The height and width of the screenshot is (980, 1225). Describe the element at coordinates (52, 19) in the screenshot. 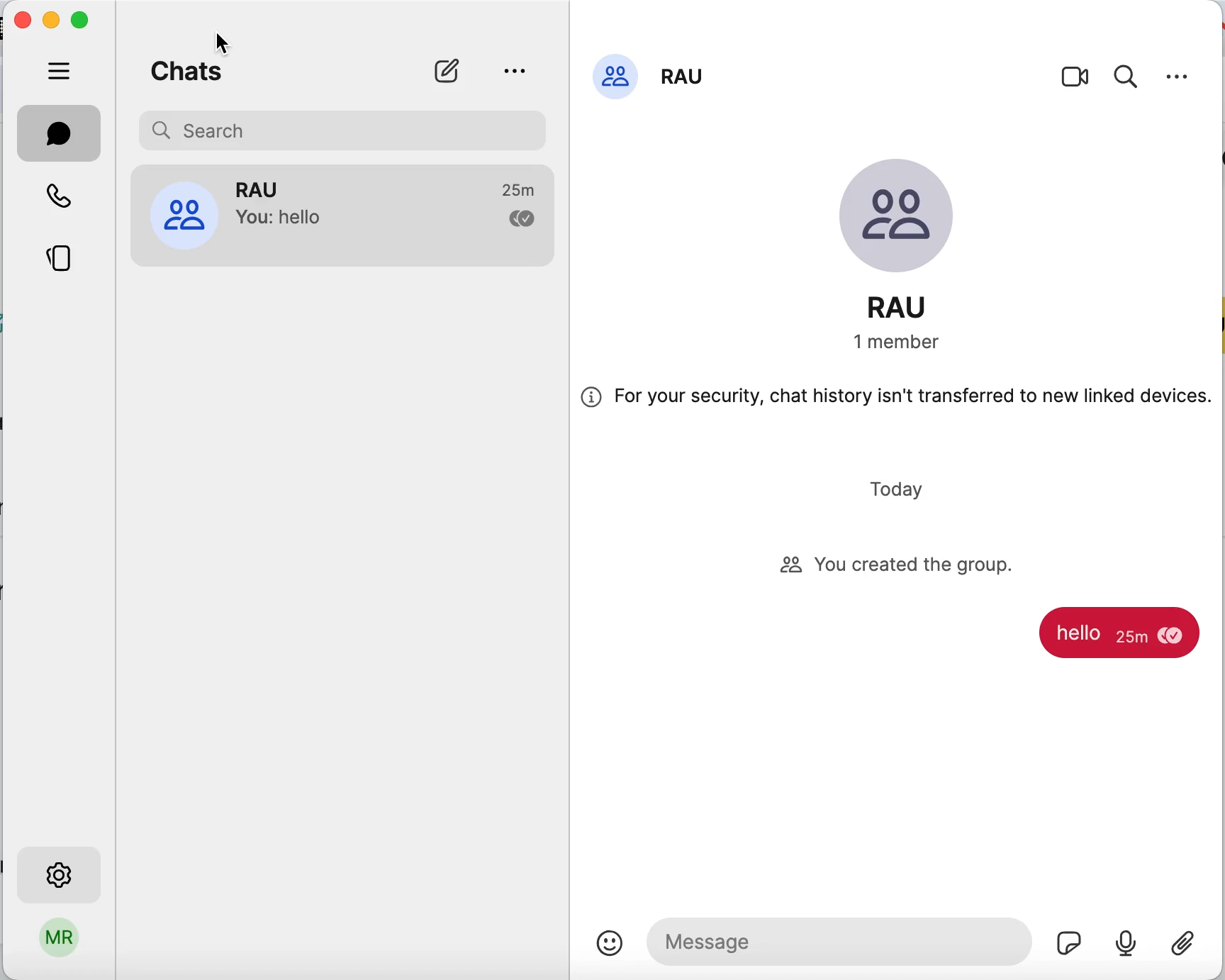

I see `minimize` at that location.